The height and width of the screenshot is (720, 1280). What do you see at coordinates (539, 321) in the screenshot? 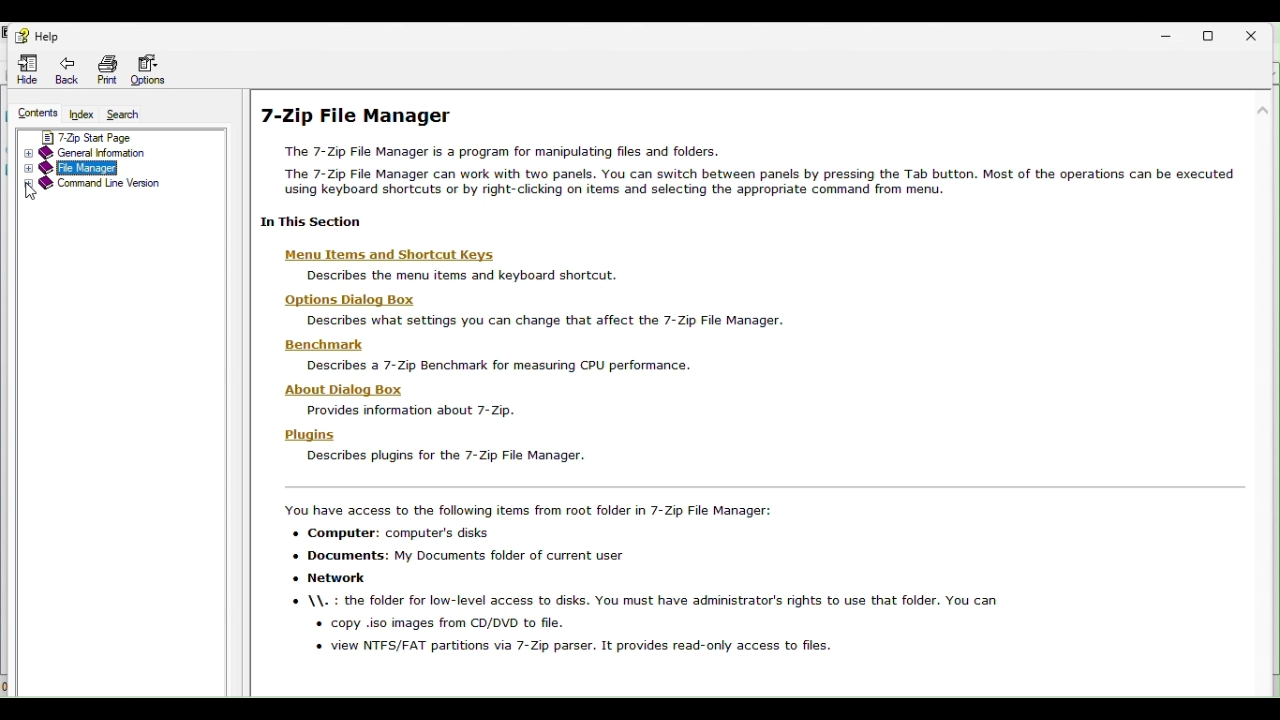
I see `Describes what settings you can change that affect the 7-Zip File Manager.` at bounding box center [539, 321].